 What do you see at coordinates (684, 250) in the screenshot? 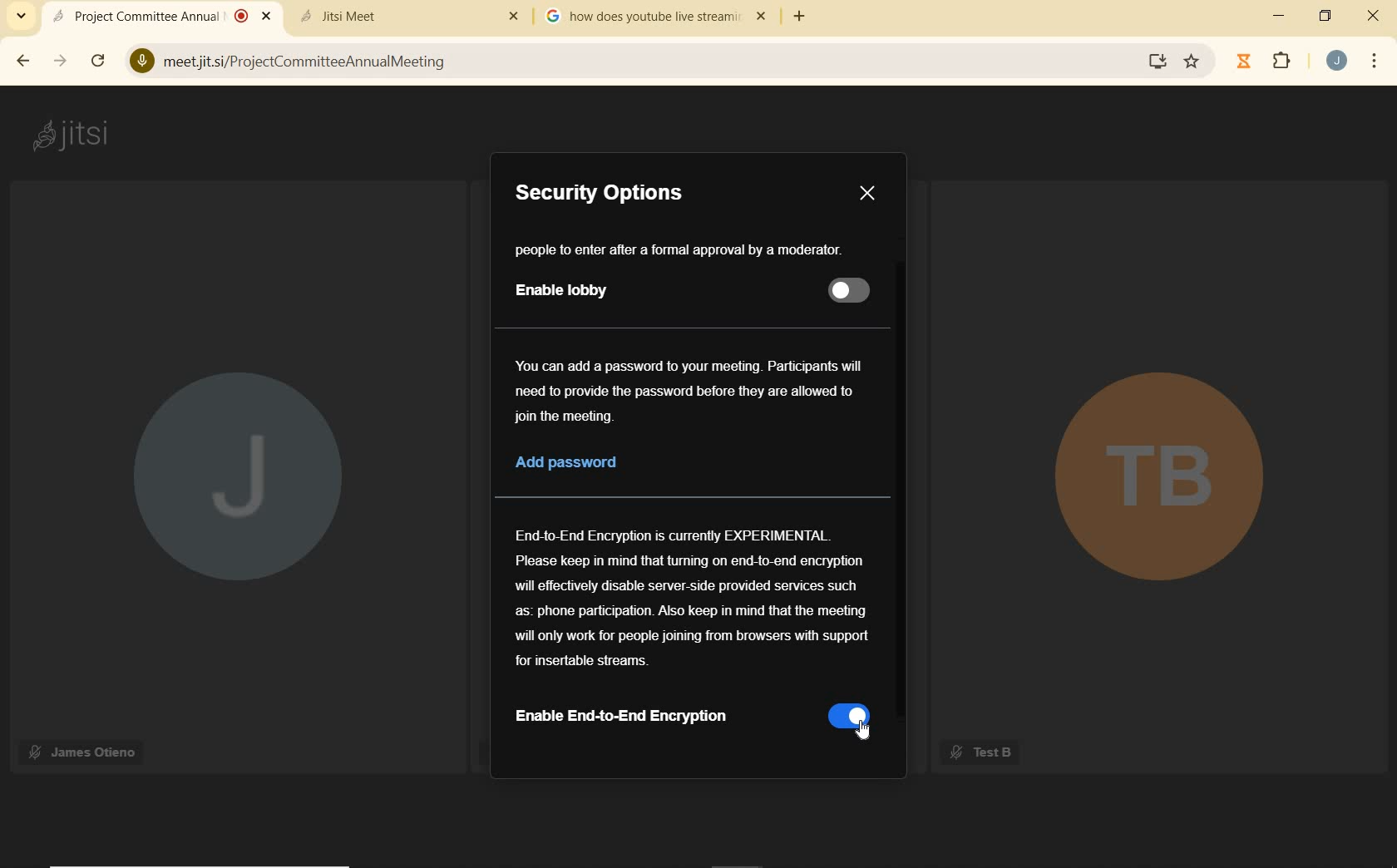
I see `people to enter after a formal approval by a moderator.` at bounding box center [684, 250].